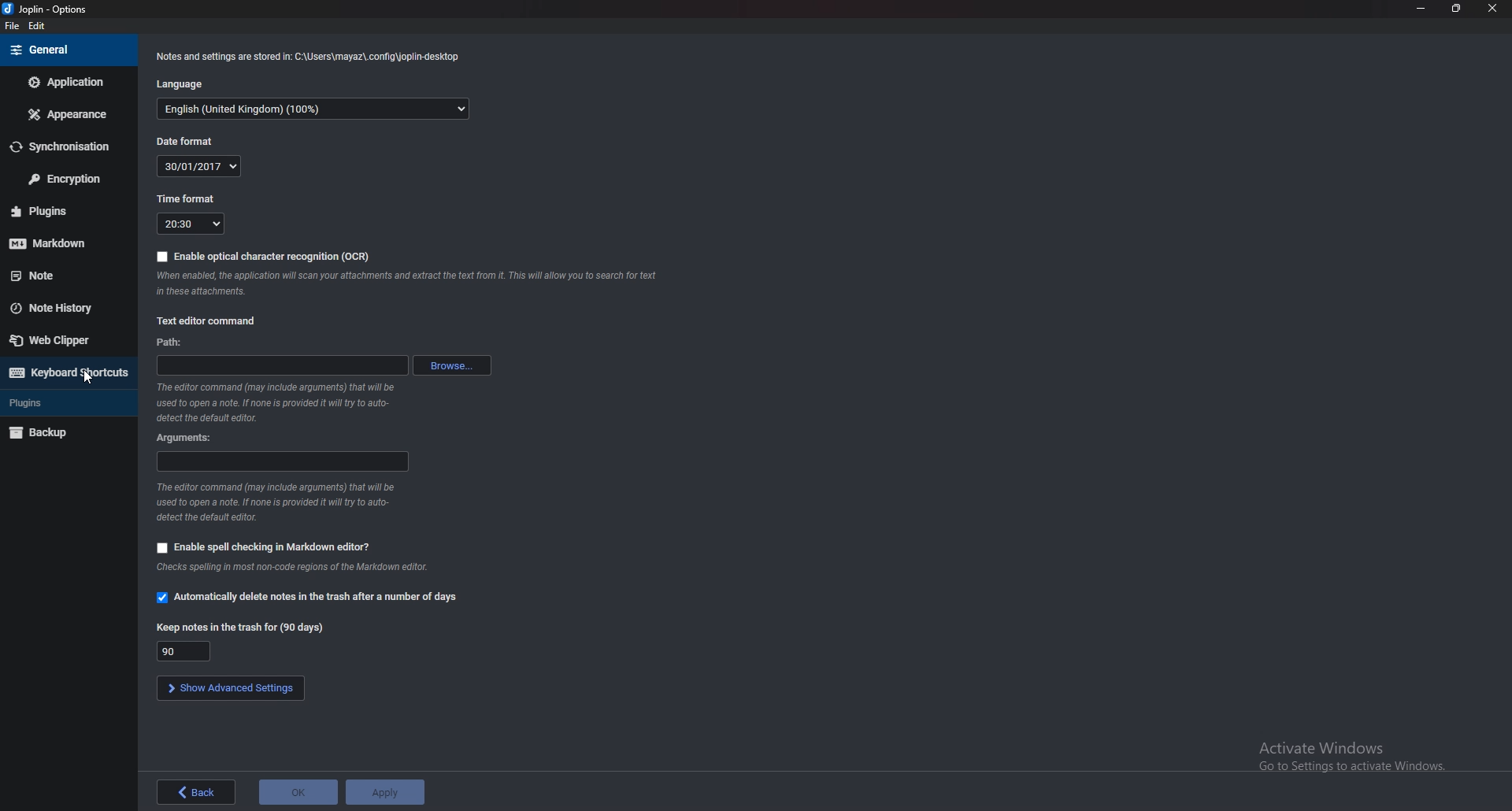 This screenshot has width=1512, height=811. I want to click on minimize, so click(1421, 9).